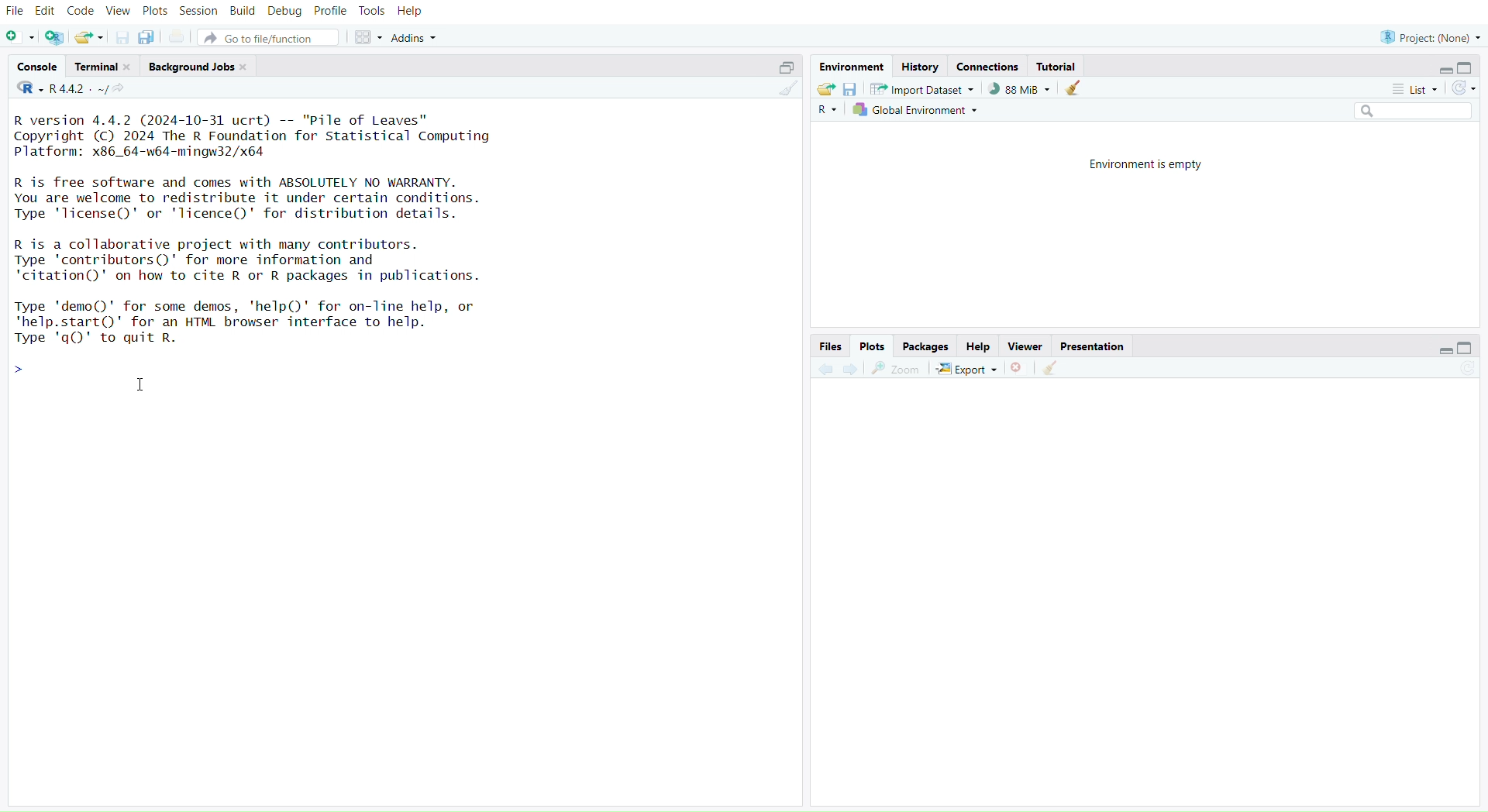 Image resolution: width=1488 pixels, height=812 pixels. What do you see at coordinates (332, 12) in the screenshot?
I see `profile` at bounding box center [332, 12].